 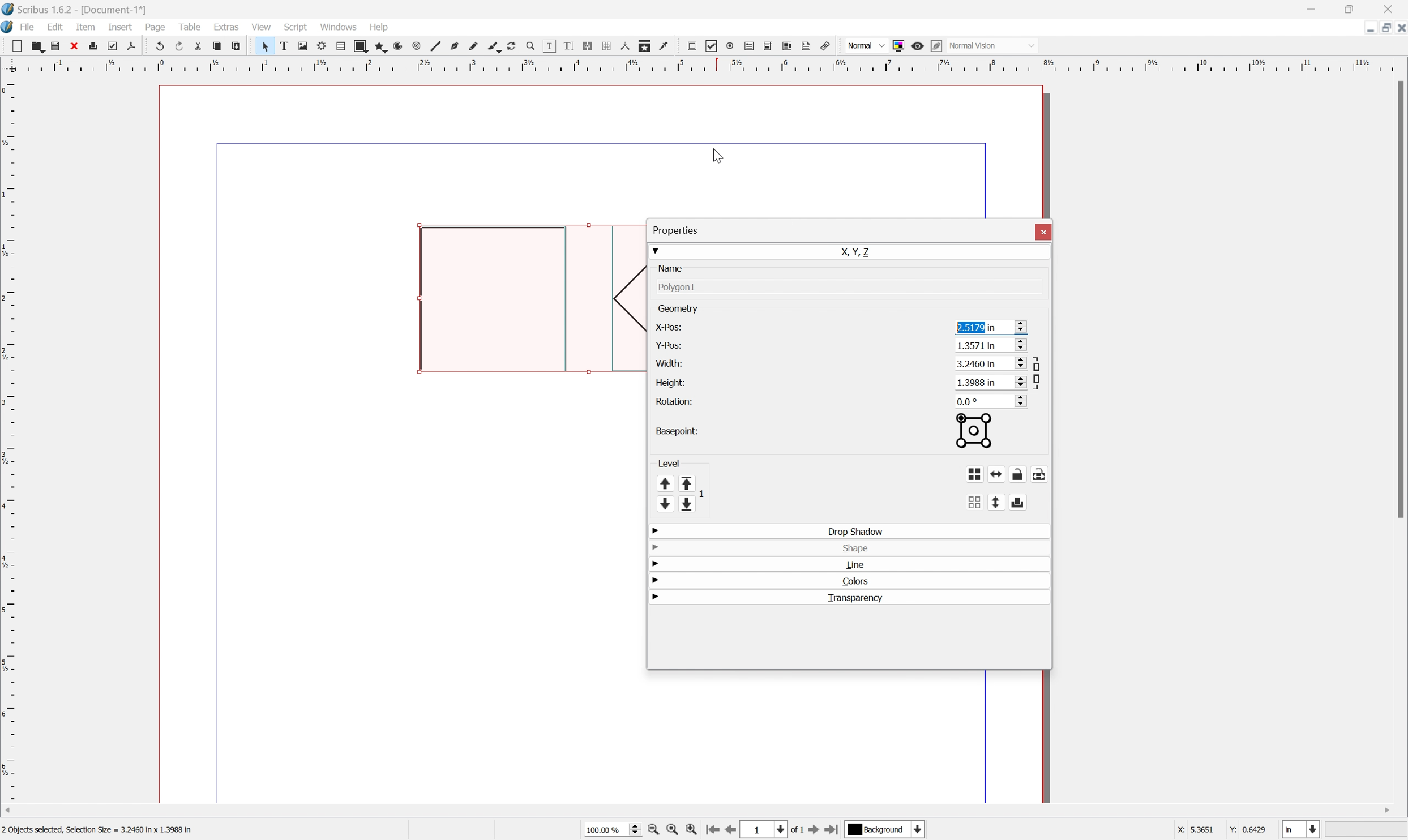 What do you see at coordinates (671, 383) in the screenshot?
I see `height` at bounding box center [671, 383].